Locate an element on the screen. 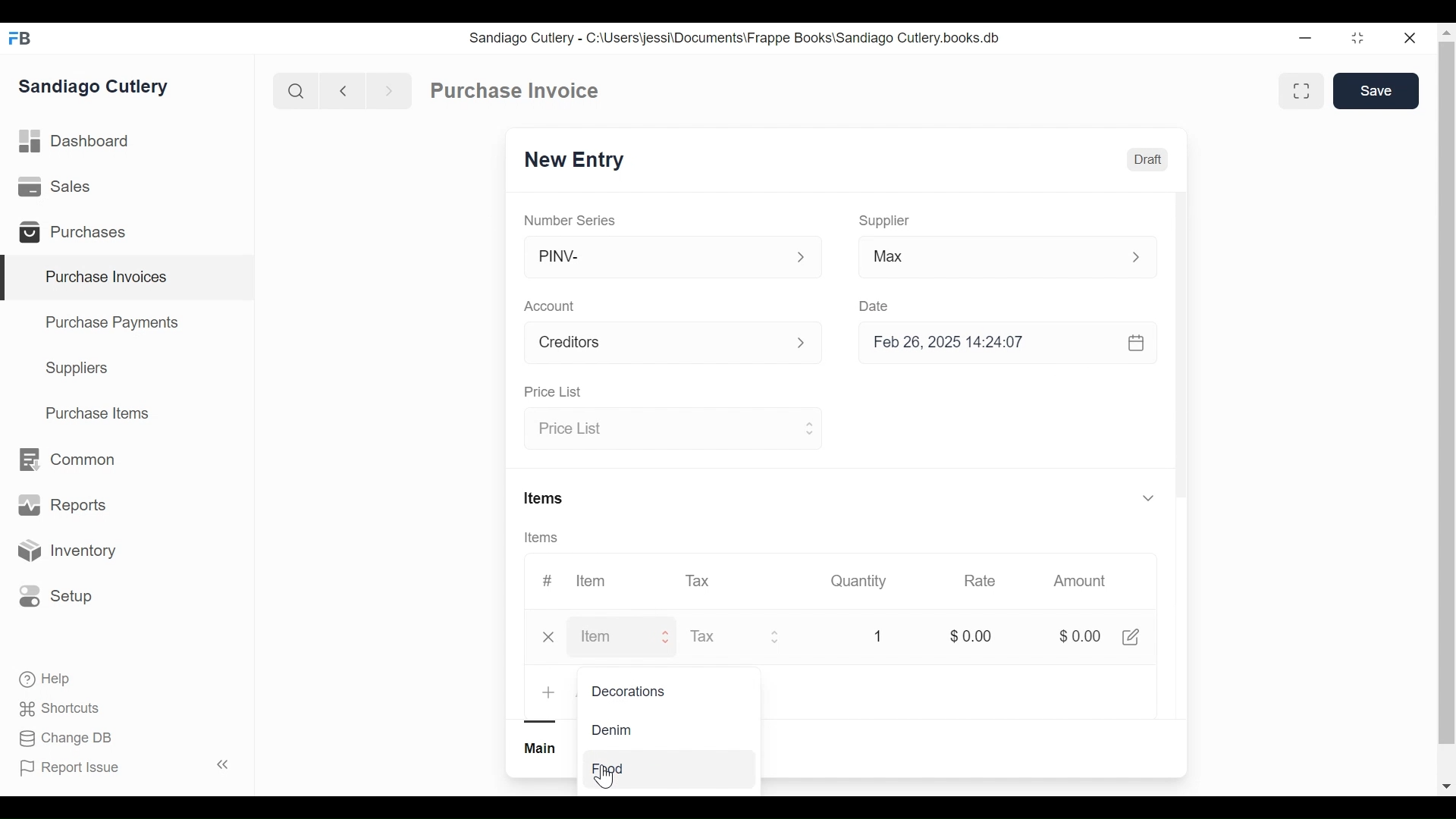  Suppliers is located at coordinates (77, 369).